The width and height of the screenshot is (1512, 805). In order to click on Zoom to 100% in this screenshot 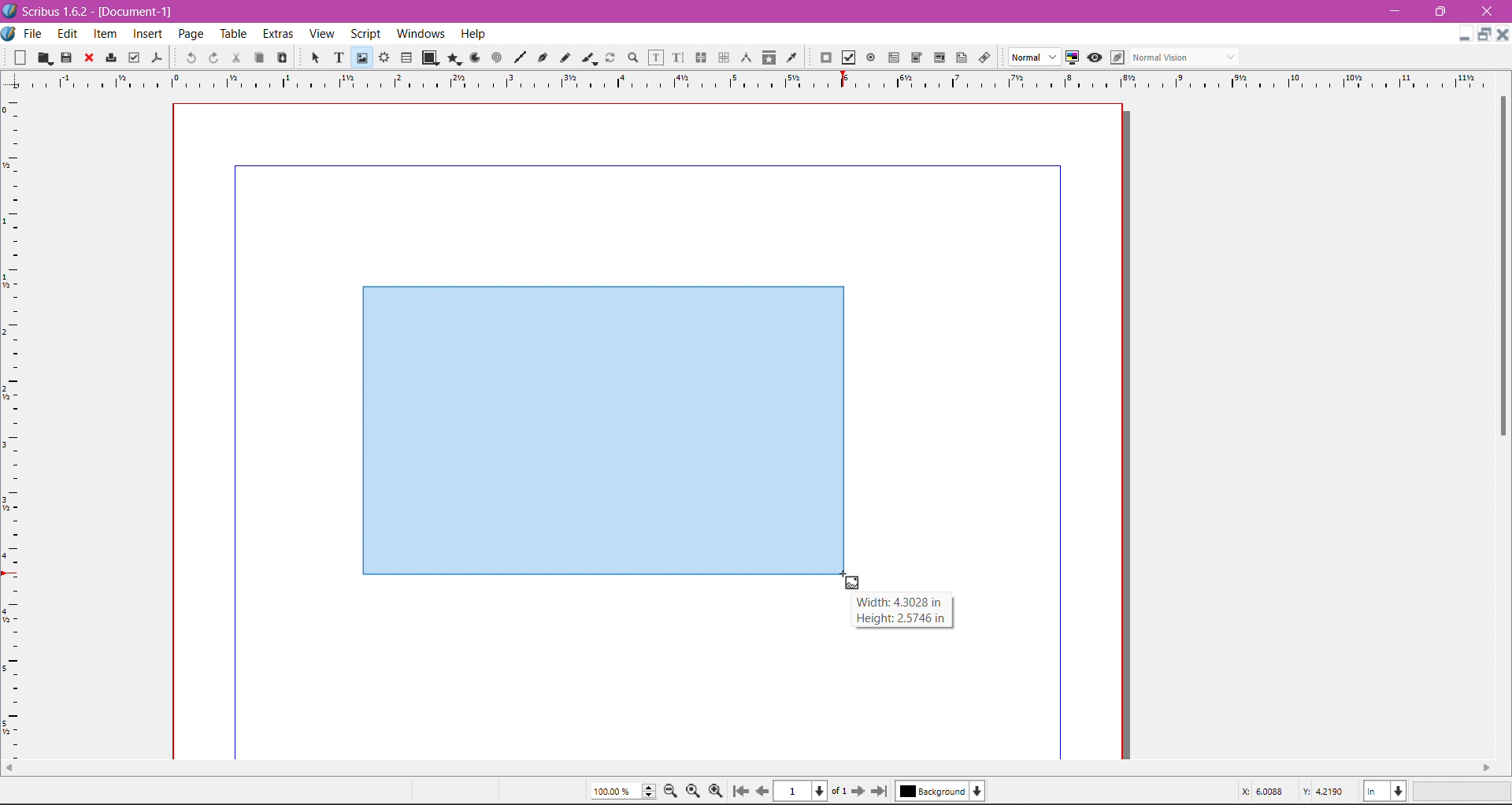, I will do `click(692, 792)`.